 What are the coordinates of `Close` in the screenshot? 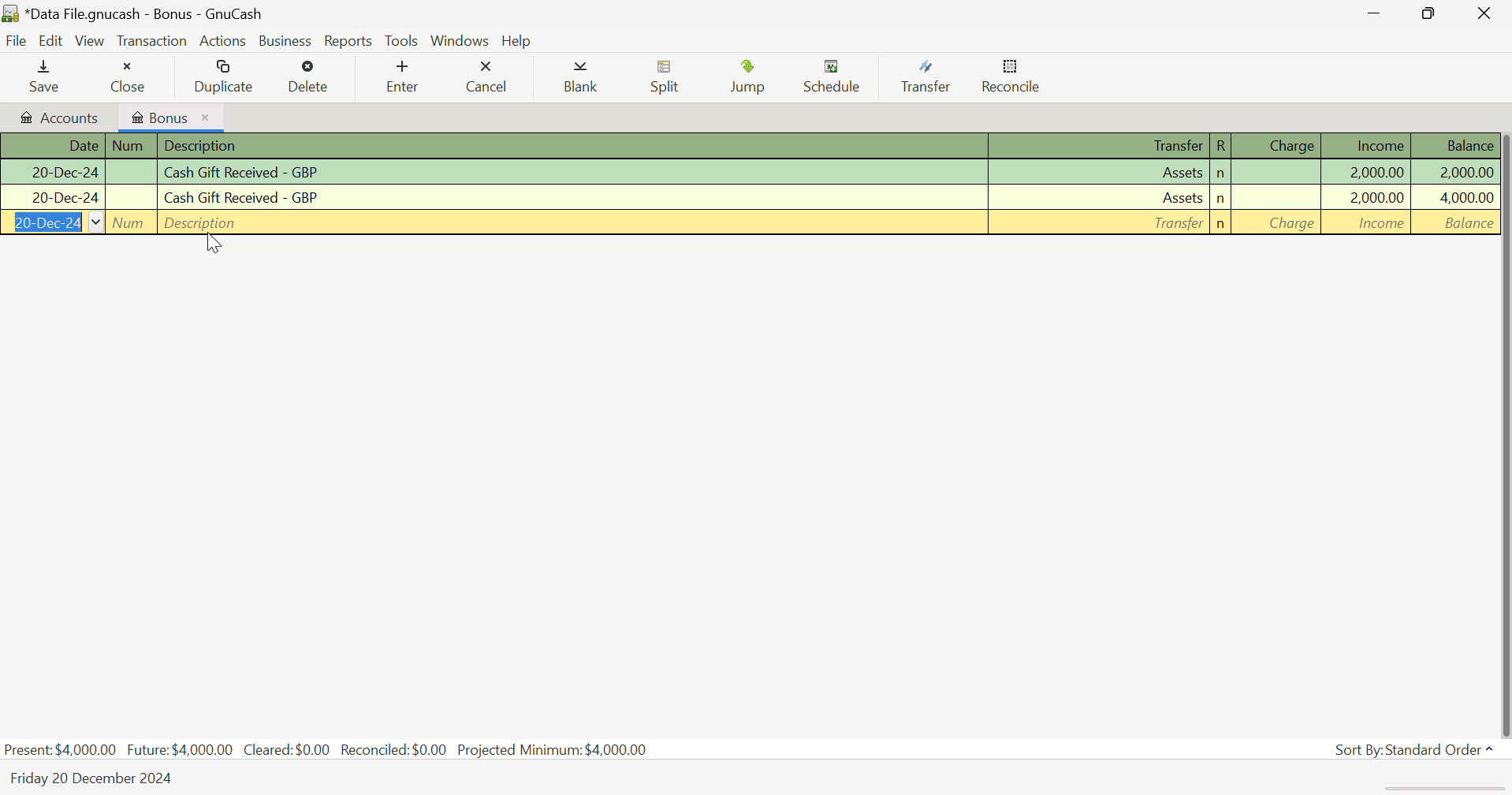 It's located at (127, 73).